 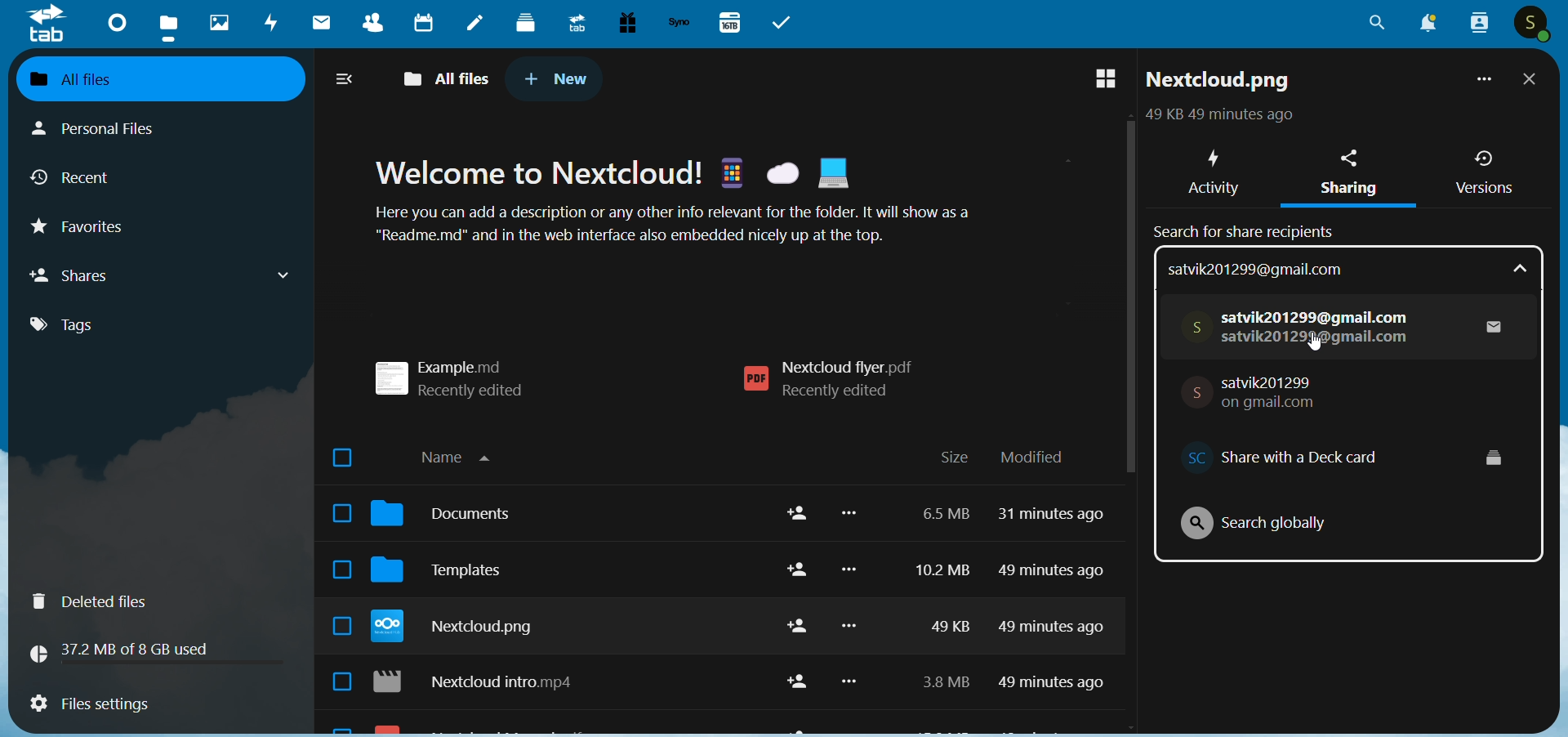 I want to click on people, so click(x=1477, y=23).